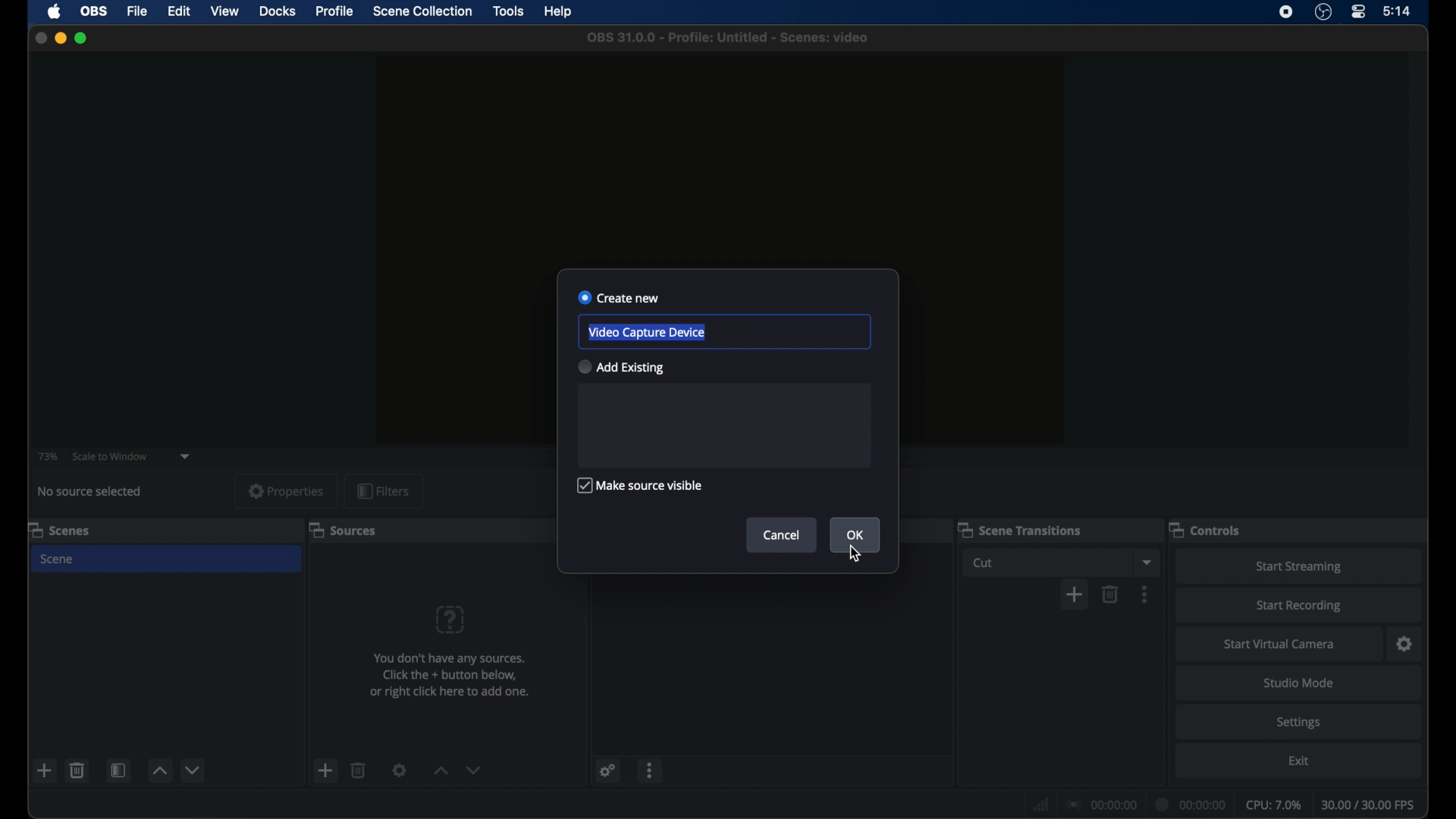 Image resolution: width=1456 pixels, height=819 pixels. Describe the element at coordinates (186, 457) in the screenshot. I see `dropdown` at that location.